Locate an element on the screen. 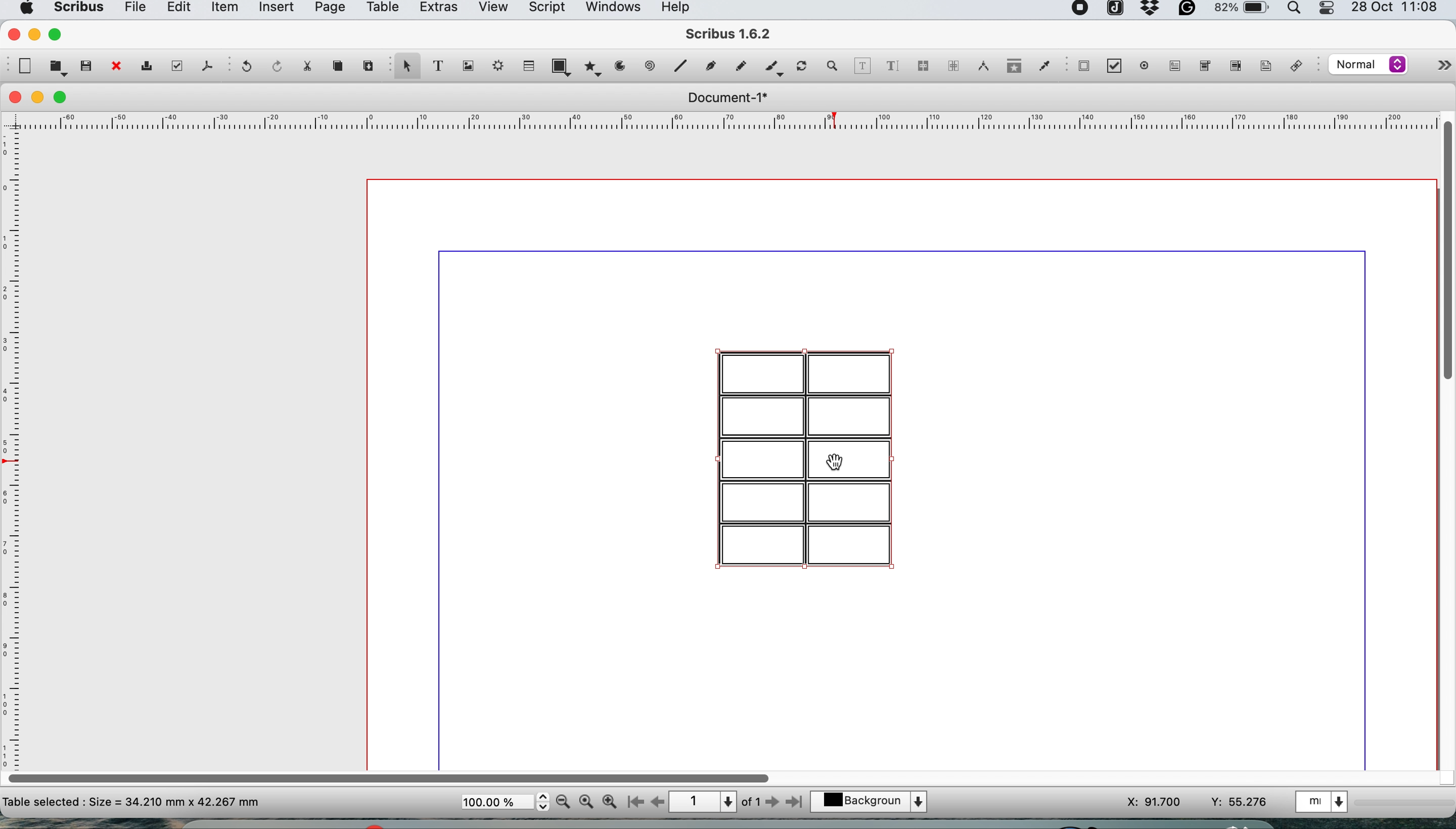 The width and height of the screenshot is (1456, 829). polygon is located at coordinates (595, 66).